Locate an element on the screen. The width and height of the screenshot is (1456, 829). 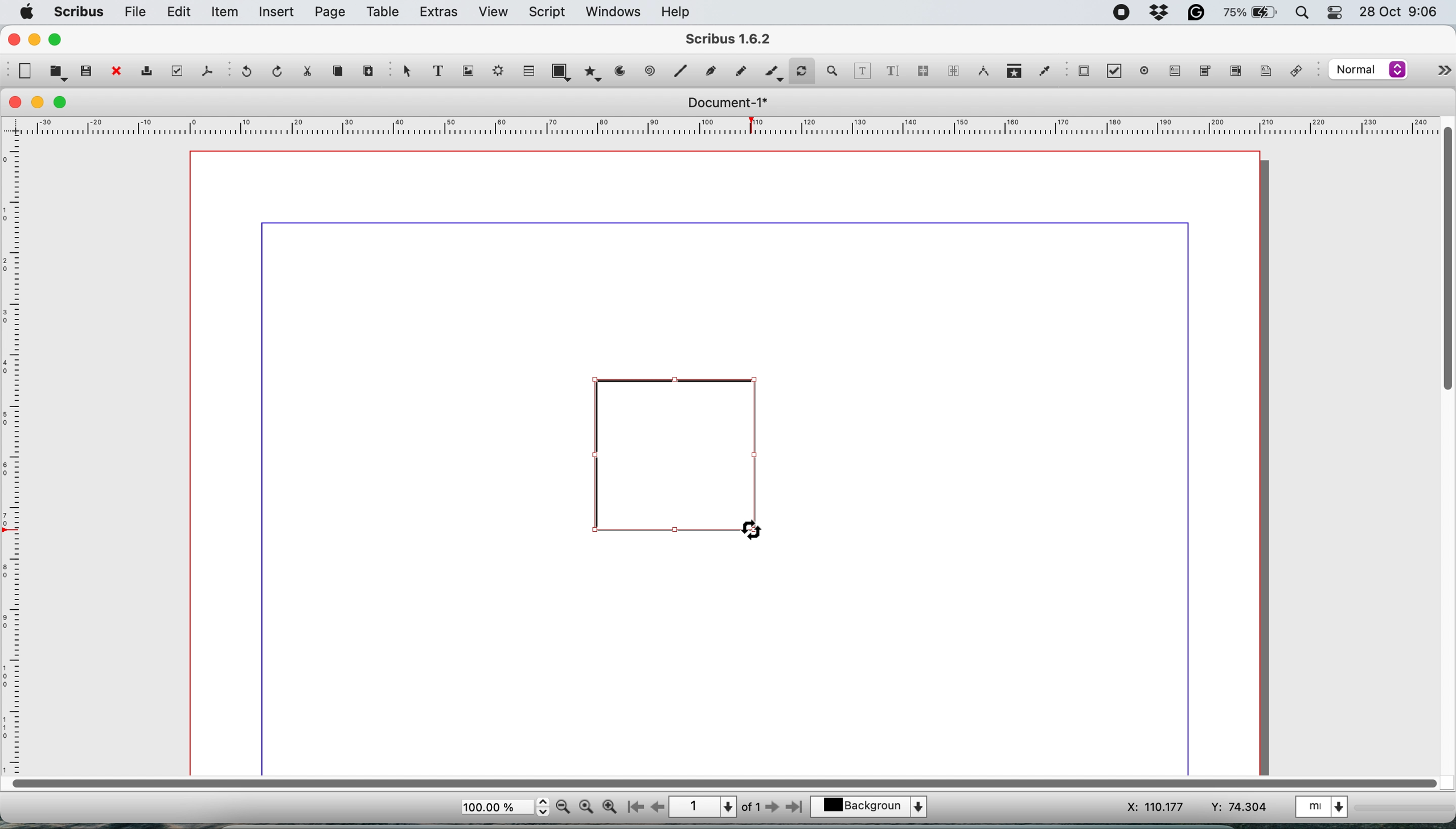
text annotation is located at coordinates (1265, 72).